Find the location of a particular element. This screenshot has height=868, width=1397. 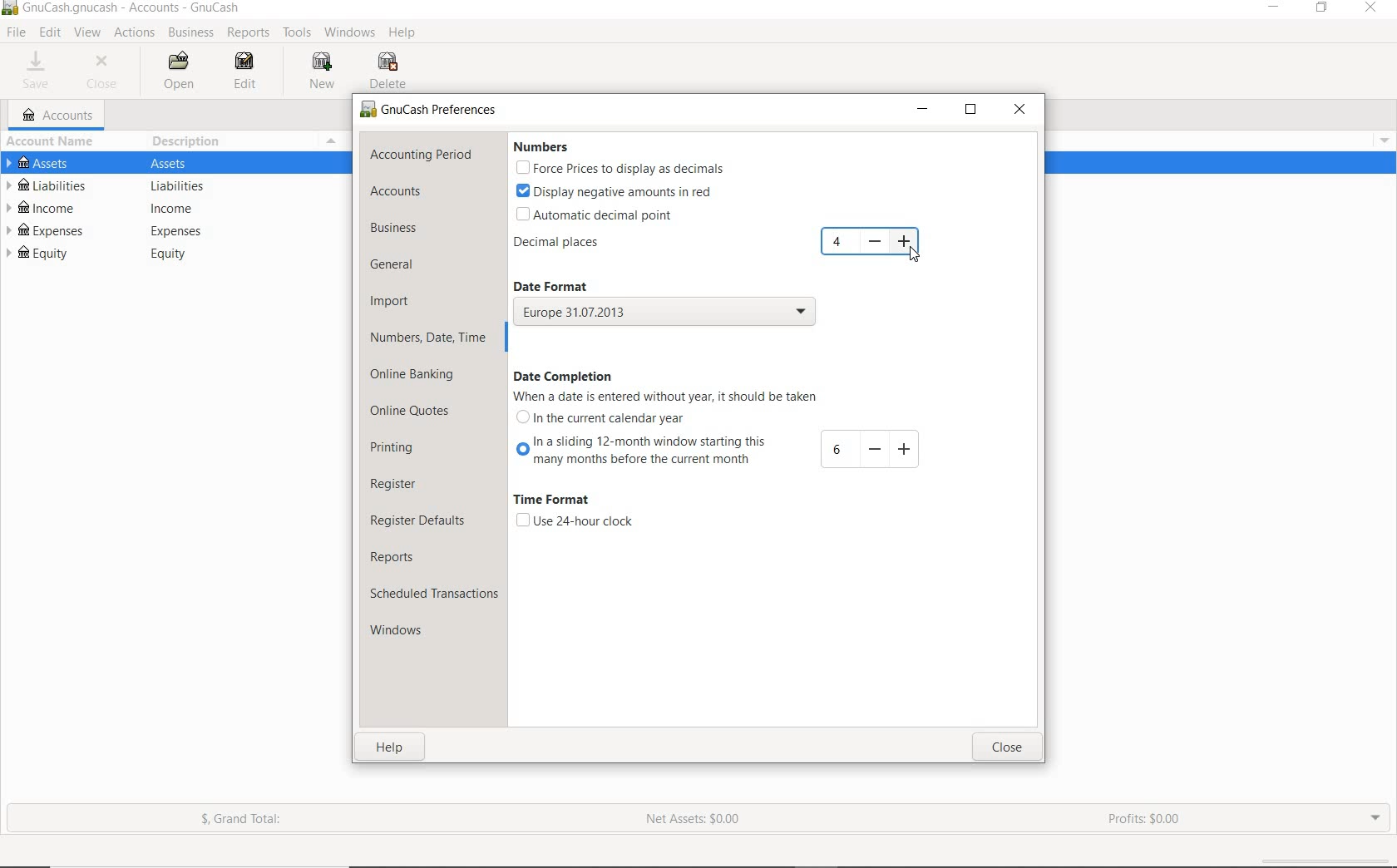

ecimal places is located at coordinates (562, 244).